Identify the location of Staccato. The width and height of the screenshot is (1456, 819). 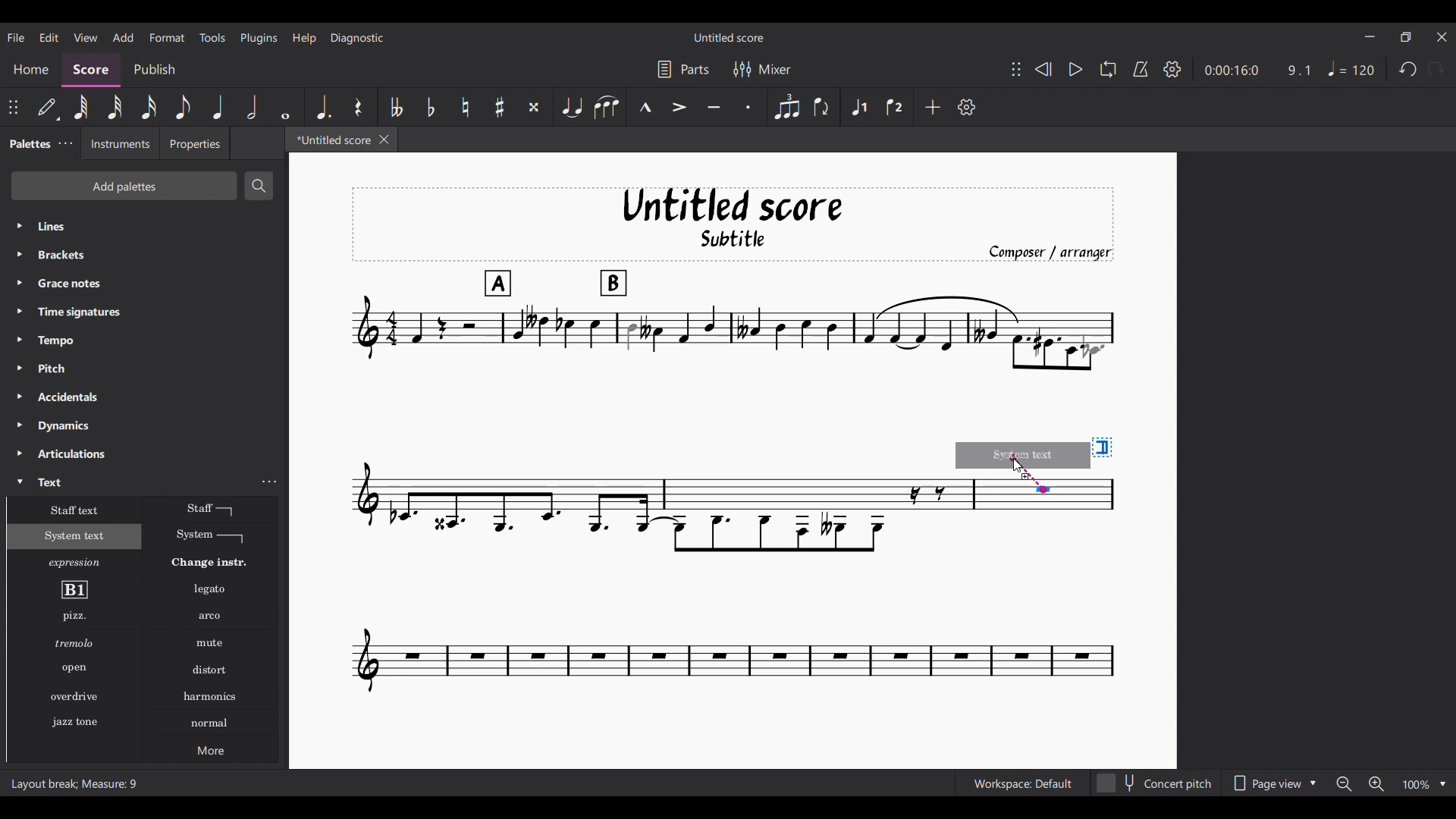
(748, 107).